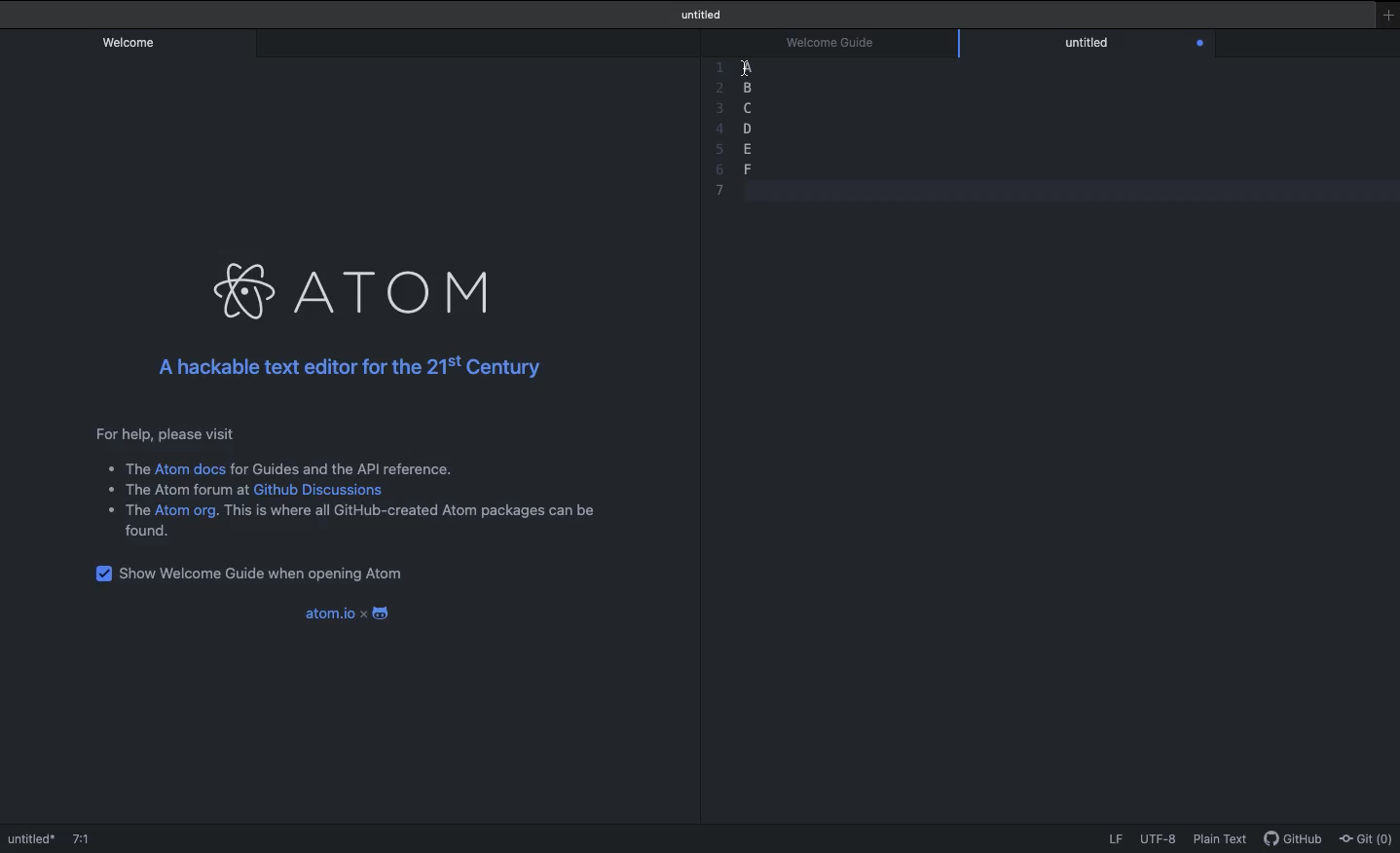  What do you see at coordinates (719, 172) in the screenshot?
I see `6` at bounding box center [719, 172].